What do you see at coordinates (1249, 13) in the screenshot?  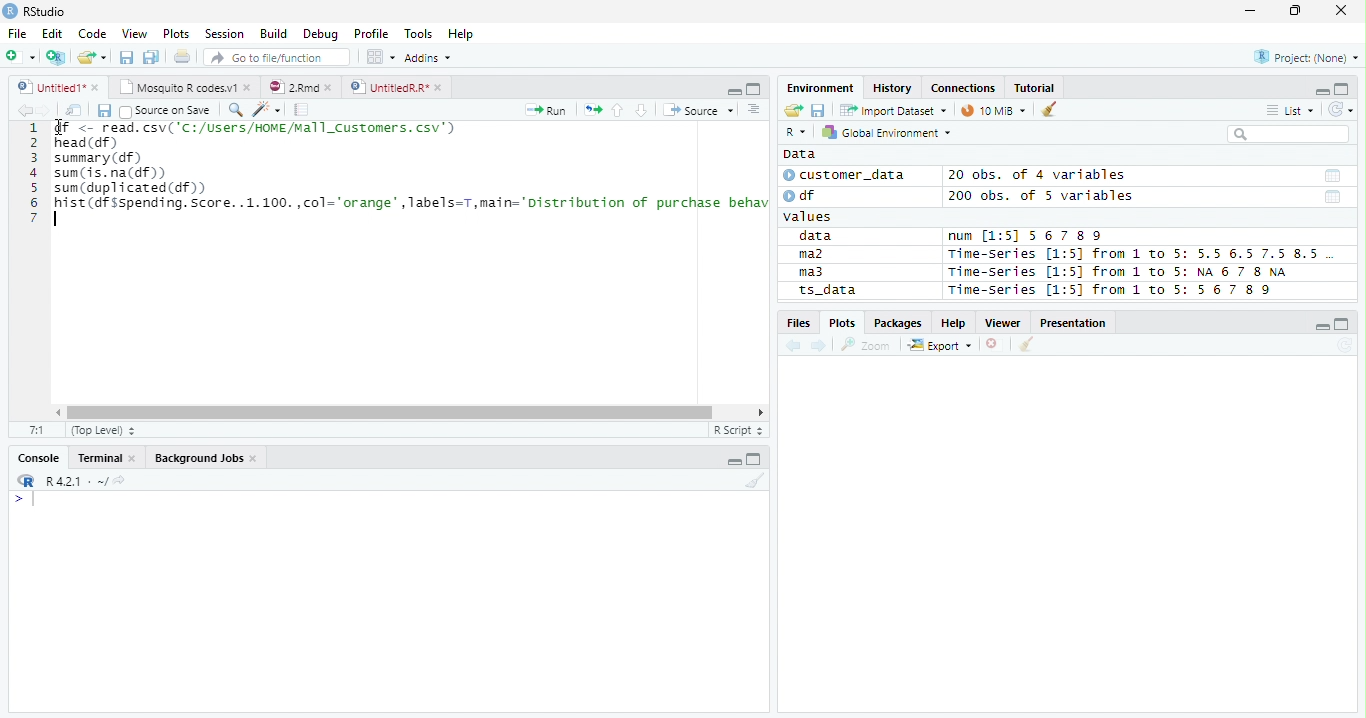 I see `Minimize` at bounding box center [1249, 13].